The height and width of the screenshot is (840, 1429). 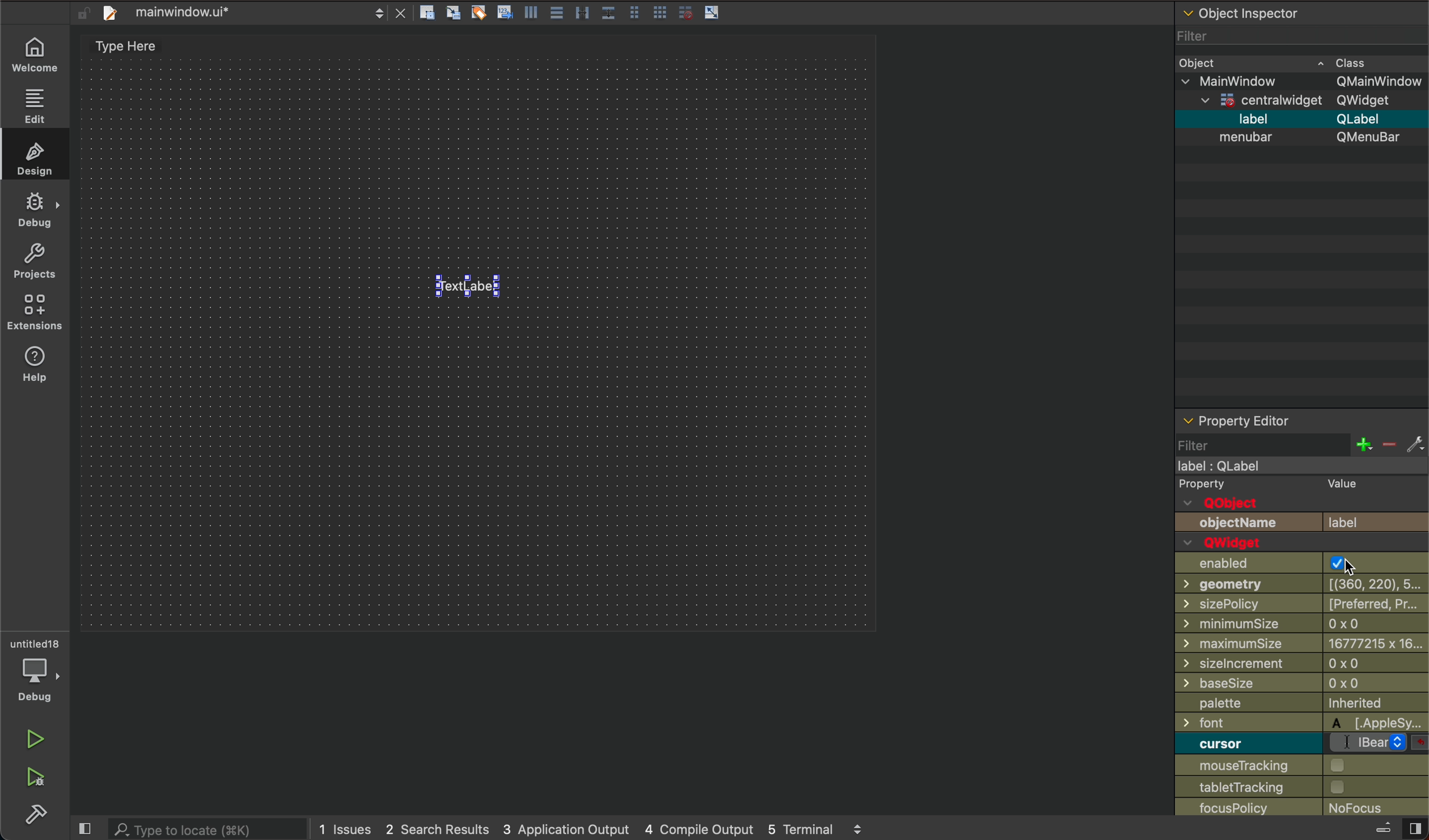 I want to click on file tab, so click(x=235, y=13).